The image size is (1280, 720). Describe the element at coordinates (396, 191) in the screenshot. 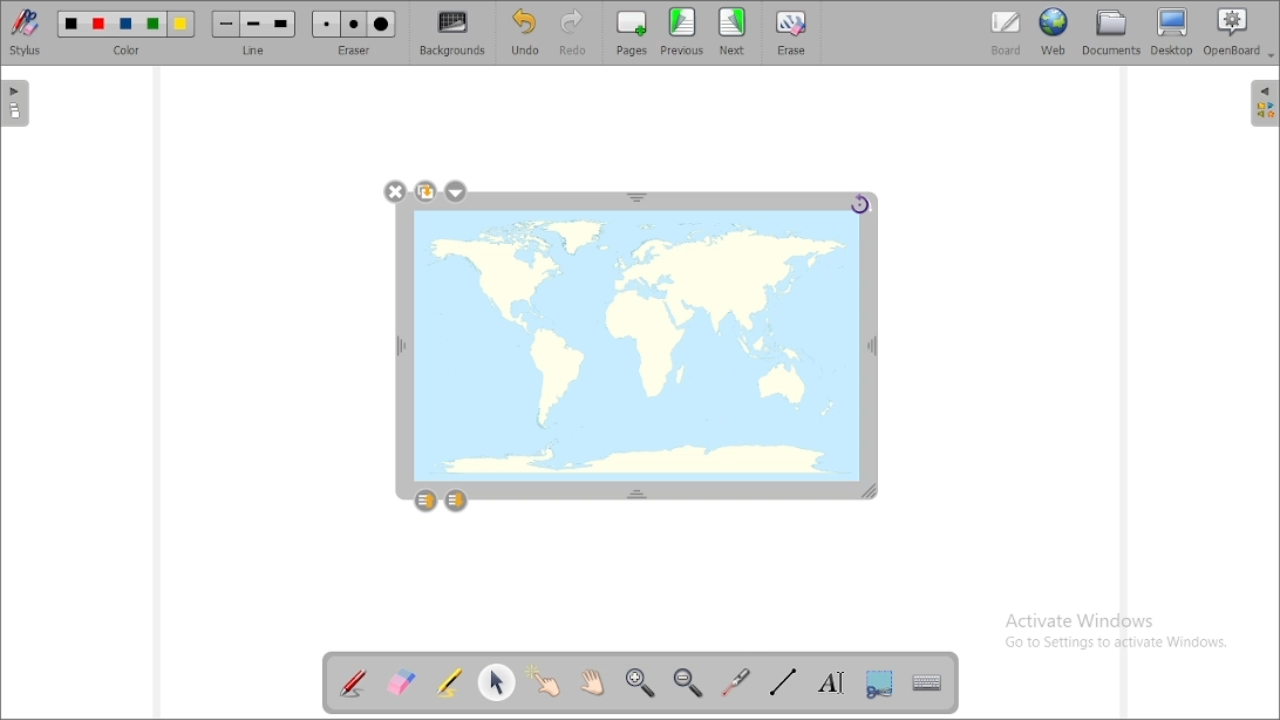

I see `delete` at that location.